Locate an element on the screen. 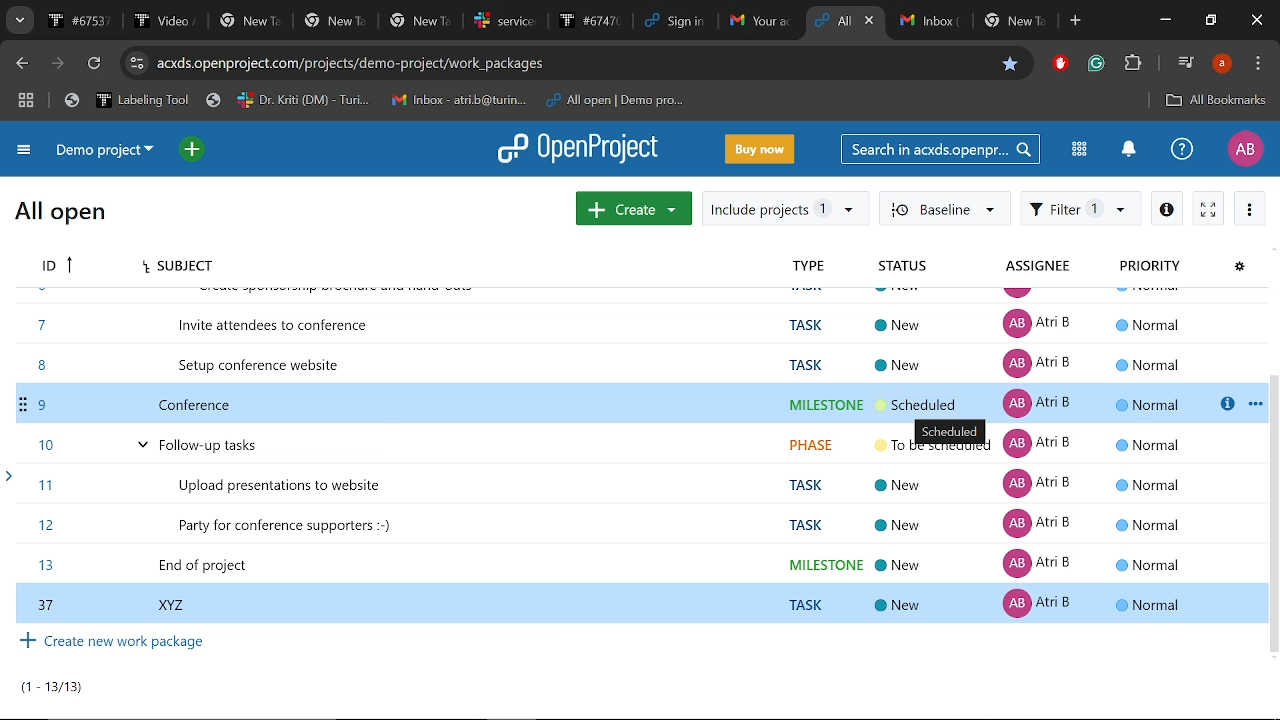 This screenshot has width=1280, height=720. Filter is located at coordinates (1082, 208).